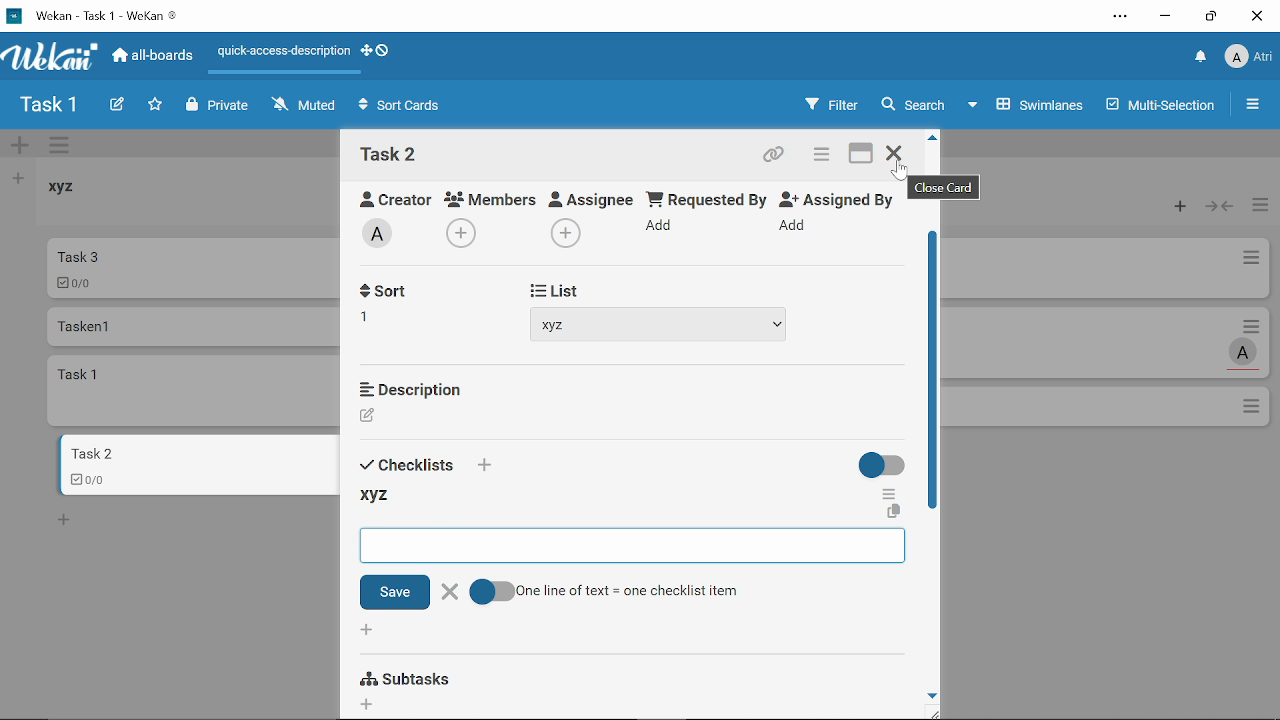 The image size is (1280, 720). What do you see at coordinates (376, 321) in the screenshot?
I see `Add recieved date` at bounding box center [376, 321].